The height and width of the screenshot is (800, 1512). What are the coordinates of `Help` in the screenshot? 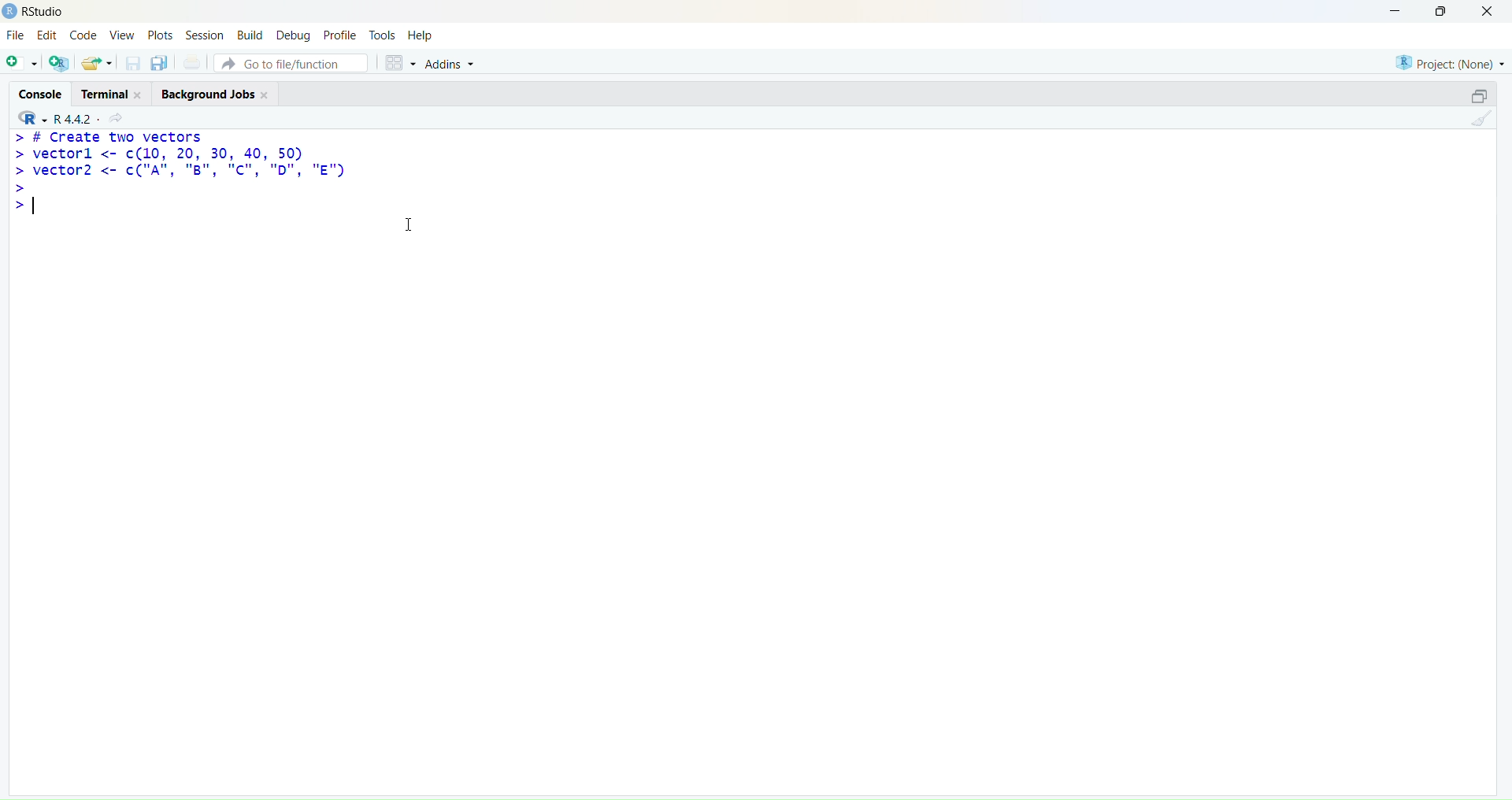 It's located at (421, 35).